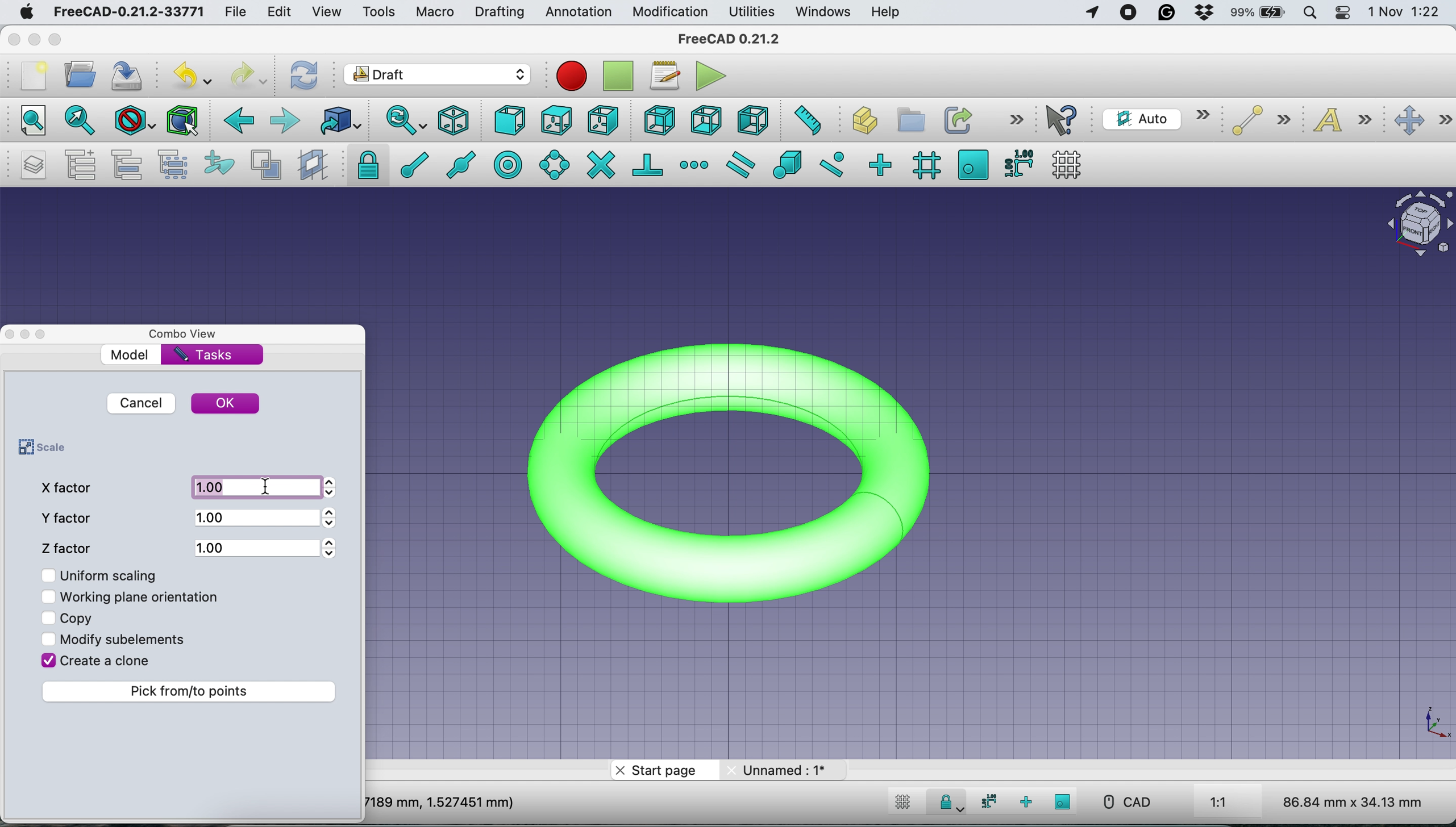  What do you see at coordinates (132, 123) in the screenshot?
I see `draw style` at bounding box center [132, 123].